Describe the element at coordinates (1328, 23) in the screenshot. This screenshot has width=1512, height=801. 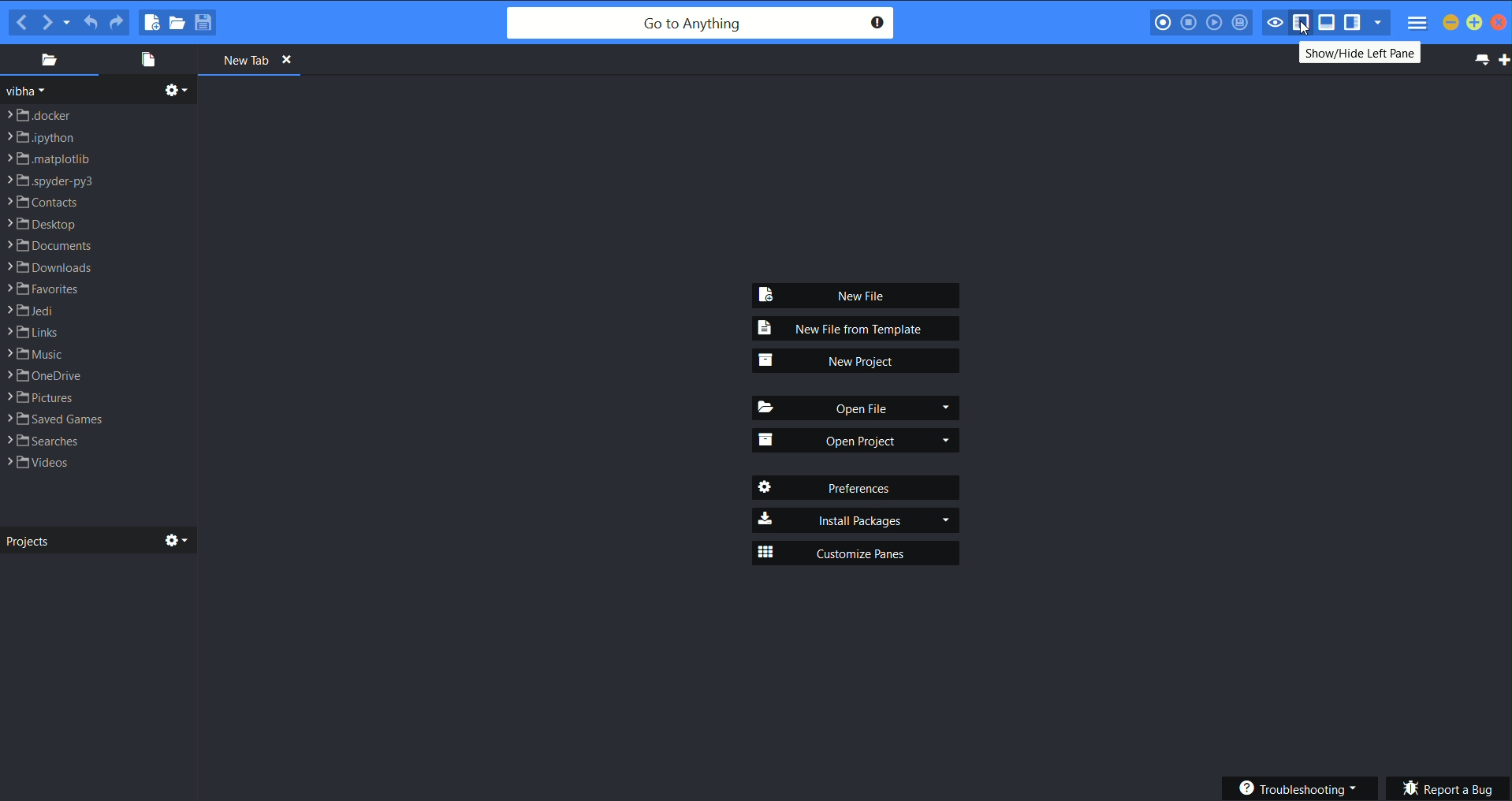
I see `hide bottom pane` at that location.